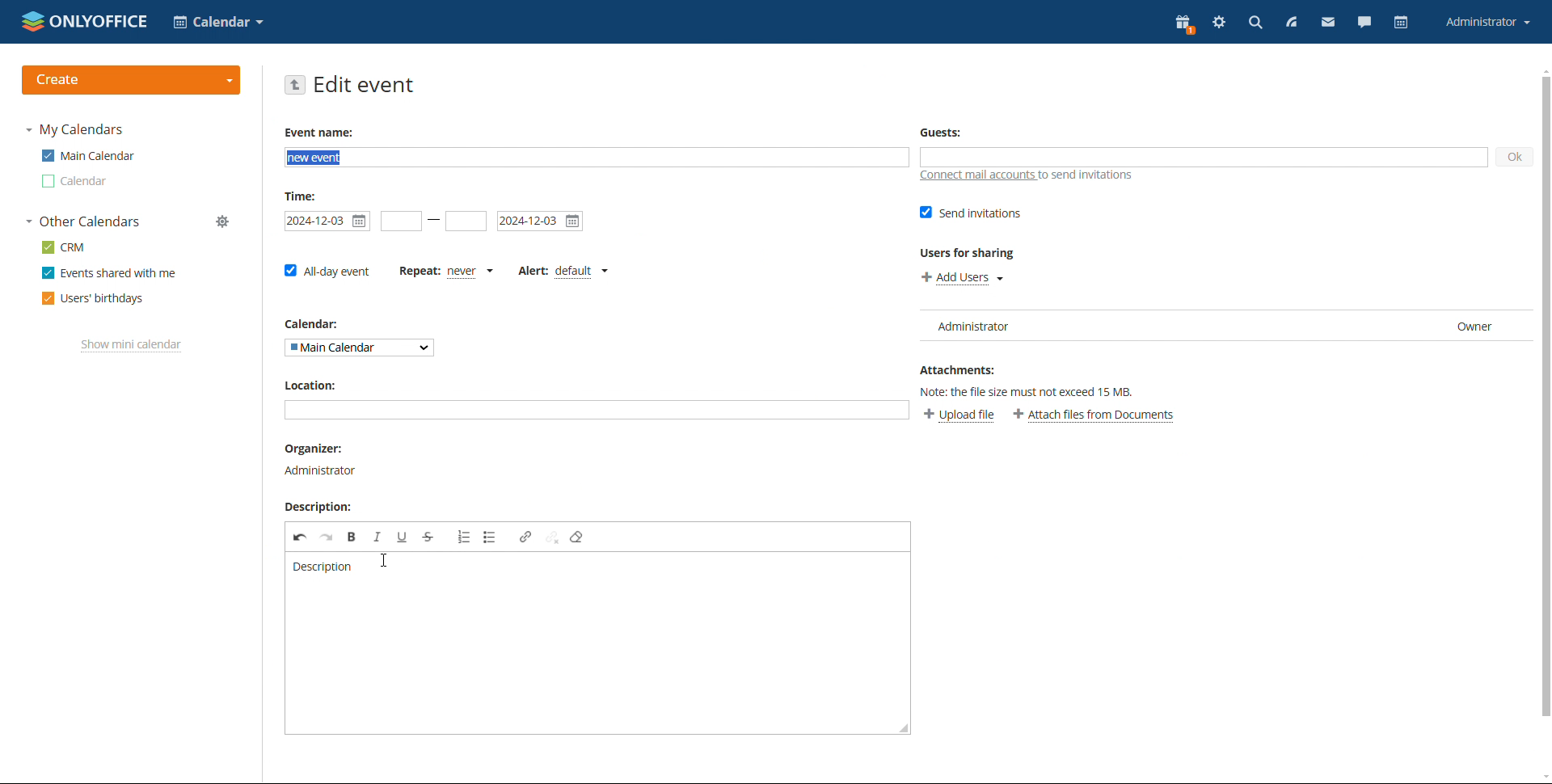  What do you see at coordinates (1219, 23) in the screenshot?
I see `settings` at bounding box center [1219, 23].